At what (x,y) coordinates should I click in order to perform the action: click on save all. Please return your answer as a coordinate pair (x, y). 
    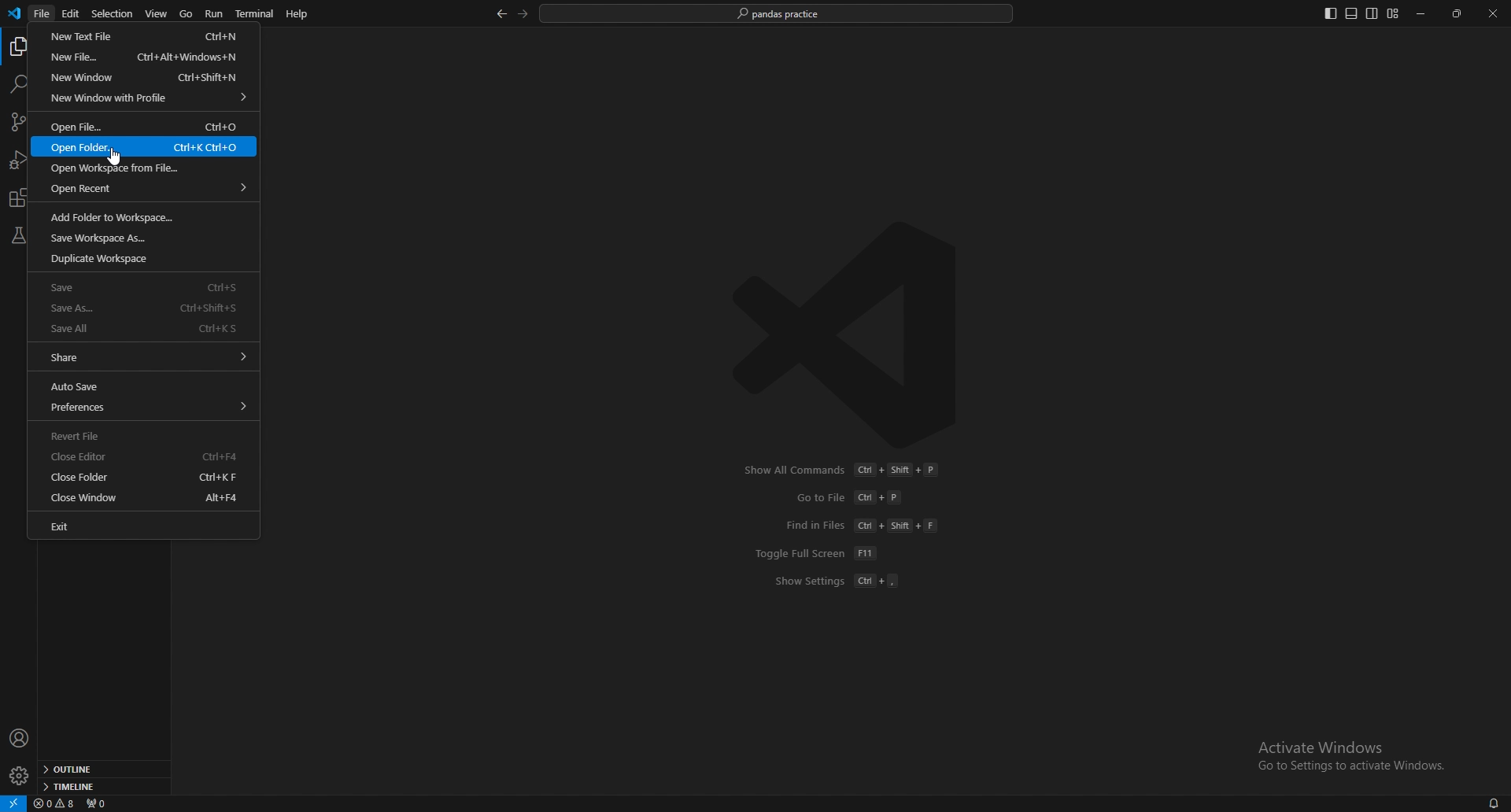
    Looking at the image, I should click on (141, 328).